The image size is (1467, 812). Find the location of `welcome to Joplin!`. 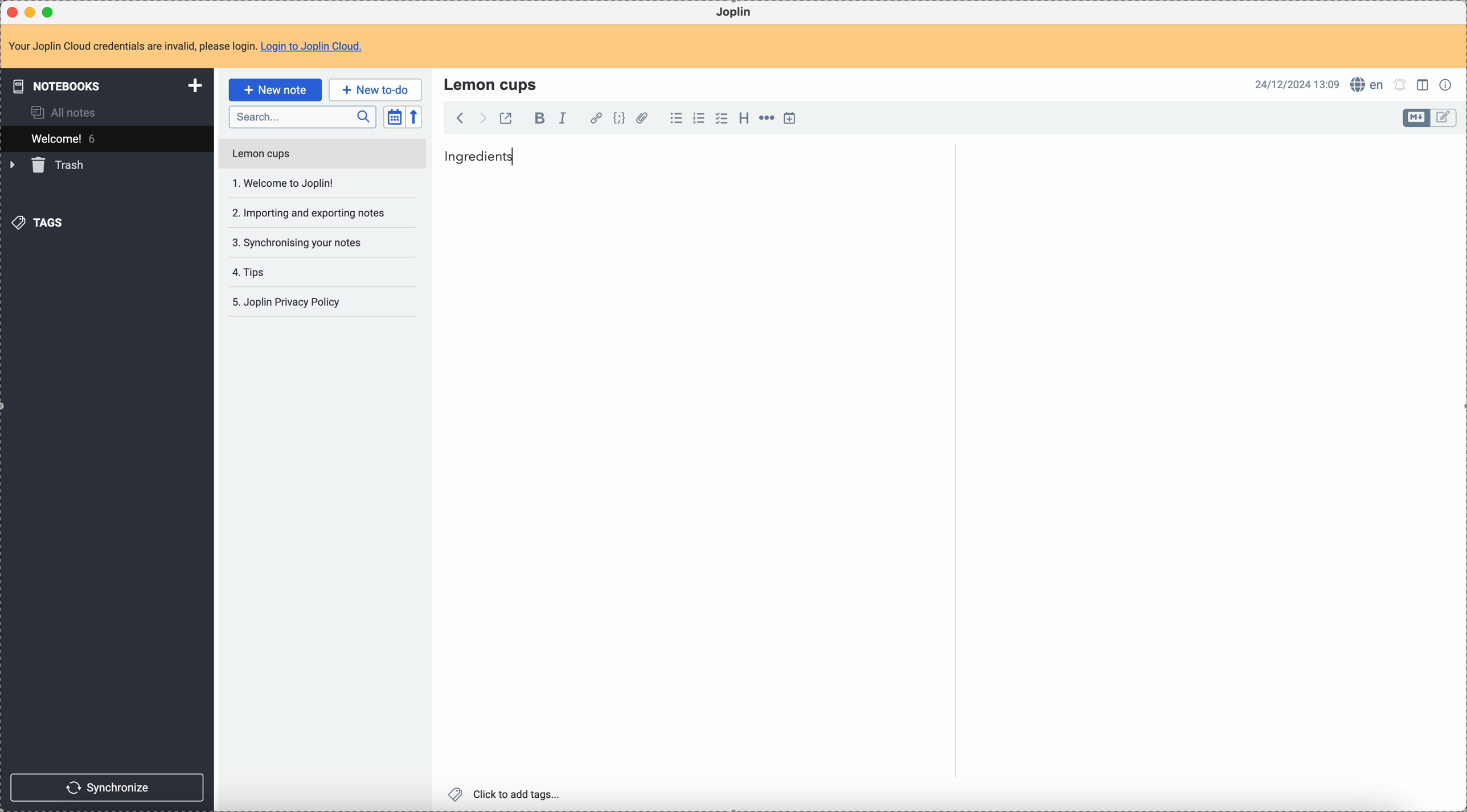

welcome to Joplin! is located at coordinates (284, 183).